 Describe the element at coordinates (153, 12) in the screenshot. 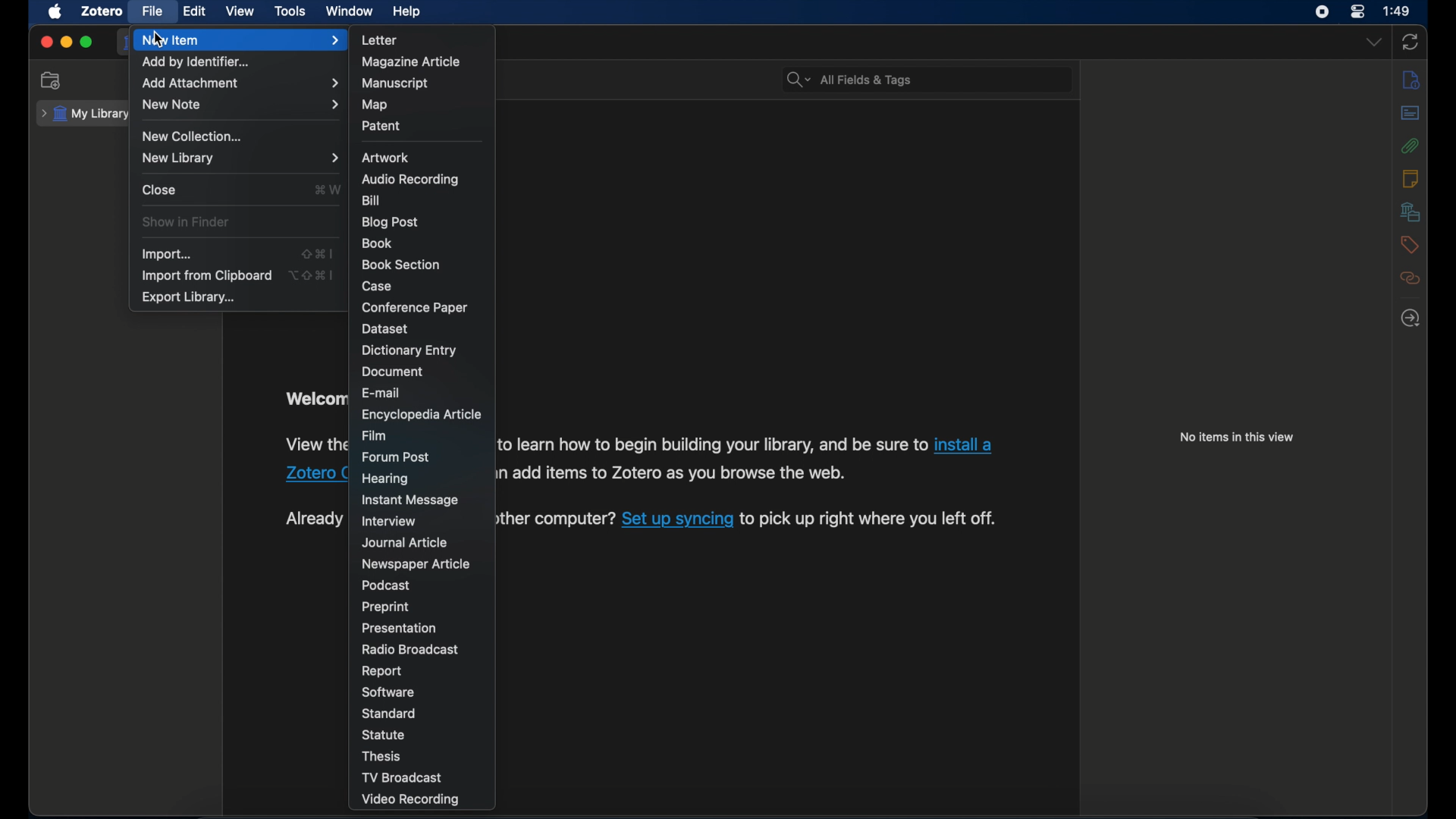

I see `file` at that location.